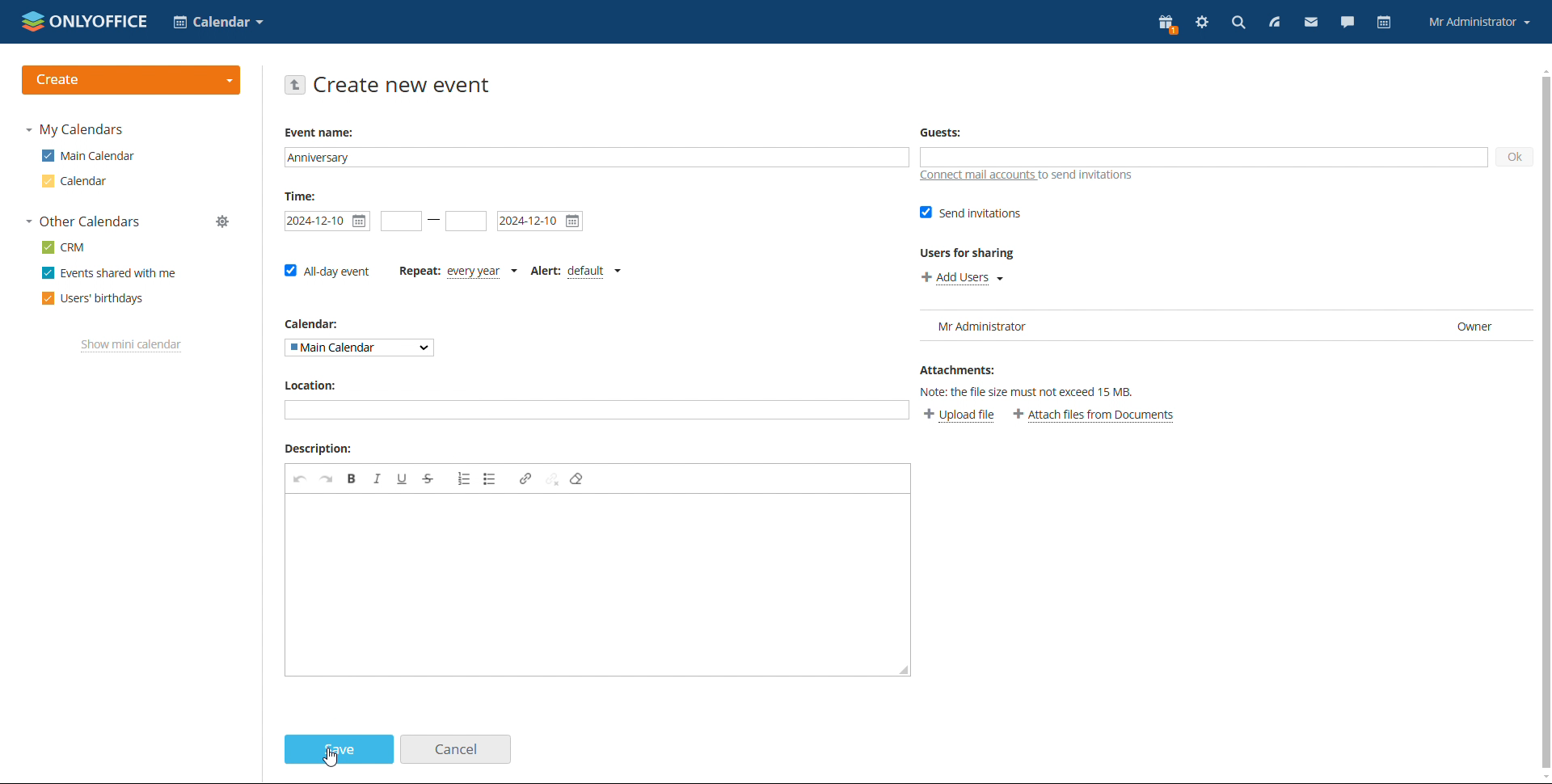 This screenshot has height=784, width=1552. What do you see at coordinates (1542, 778) in the screenshot?
I see `scroll down` at bounding box center [1542, 778].